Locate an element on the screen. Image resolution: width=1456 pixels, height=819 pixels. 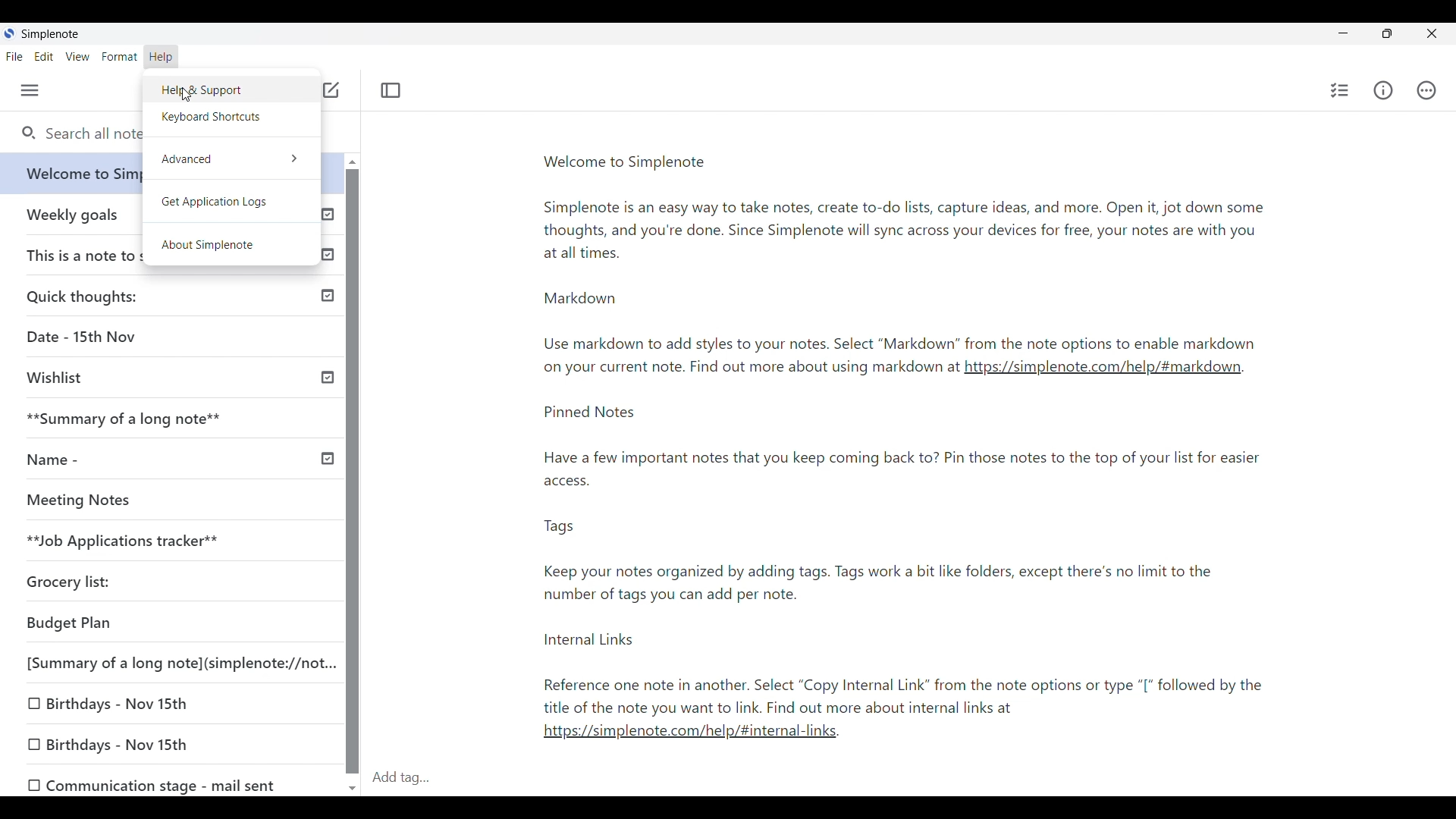
Pinned Notes
Have a few important notes that you keep coming back to? Pin those notes to the top of your list for easier
access. is located at coordinates (905, 444).